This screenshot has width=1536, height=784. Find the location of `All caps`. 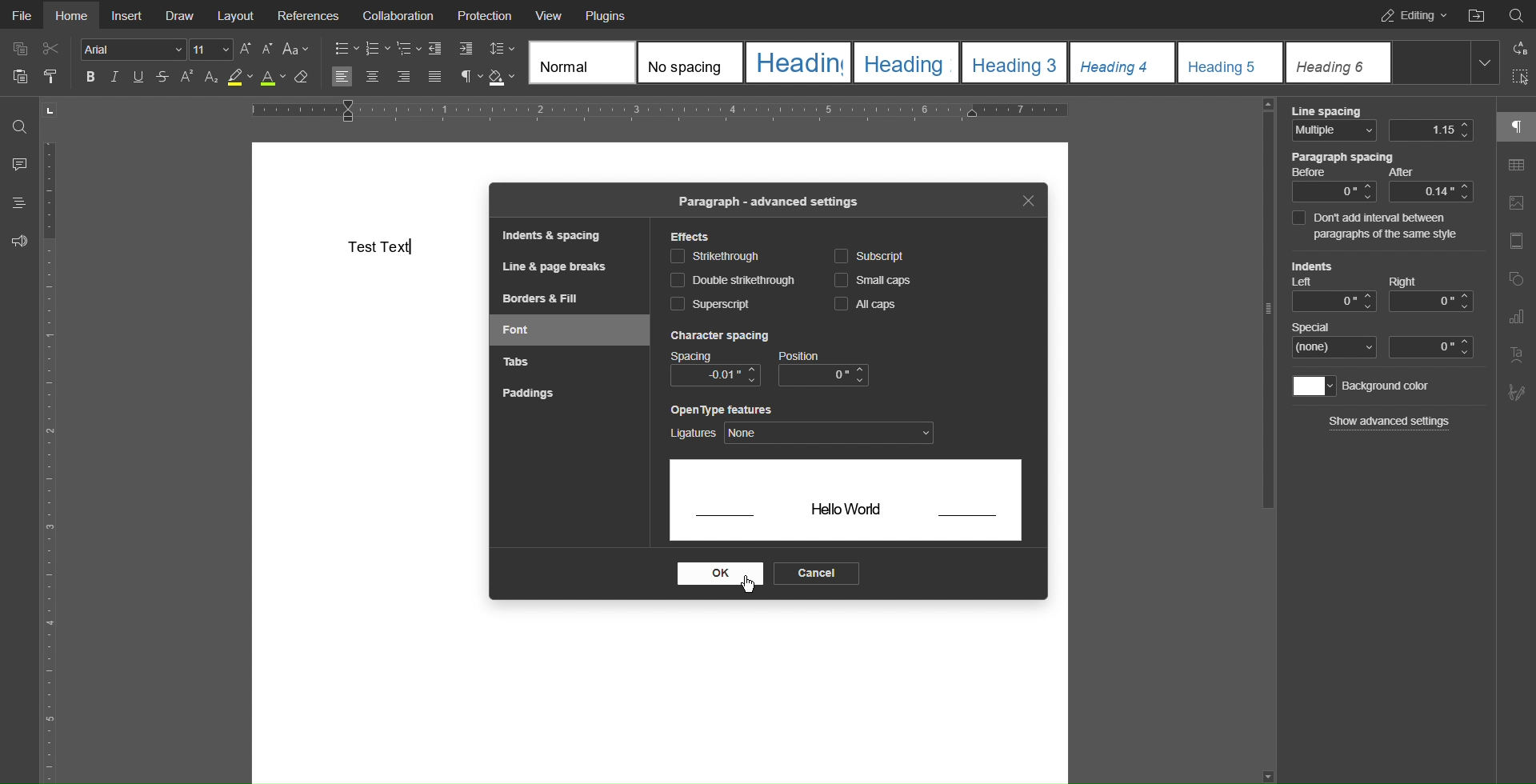

All caps is located at coordinates (862, 303).